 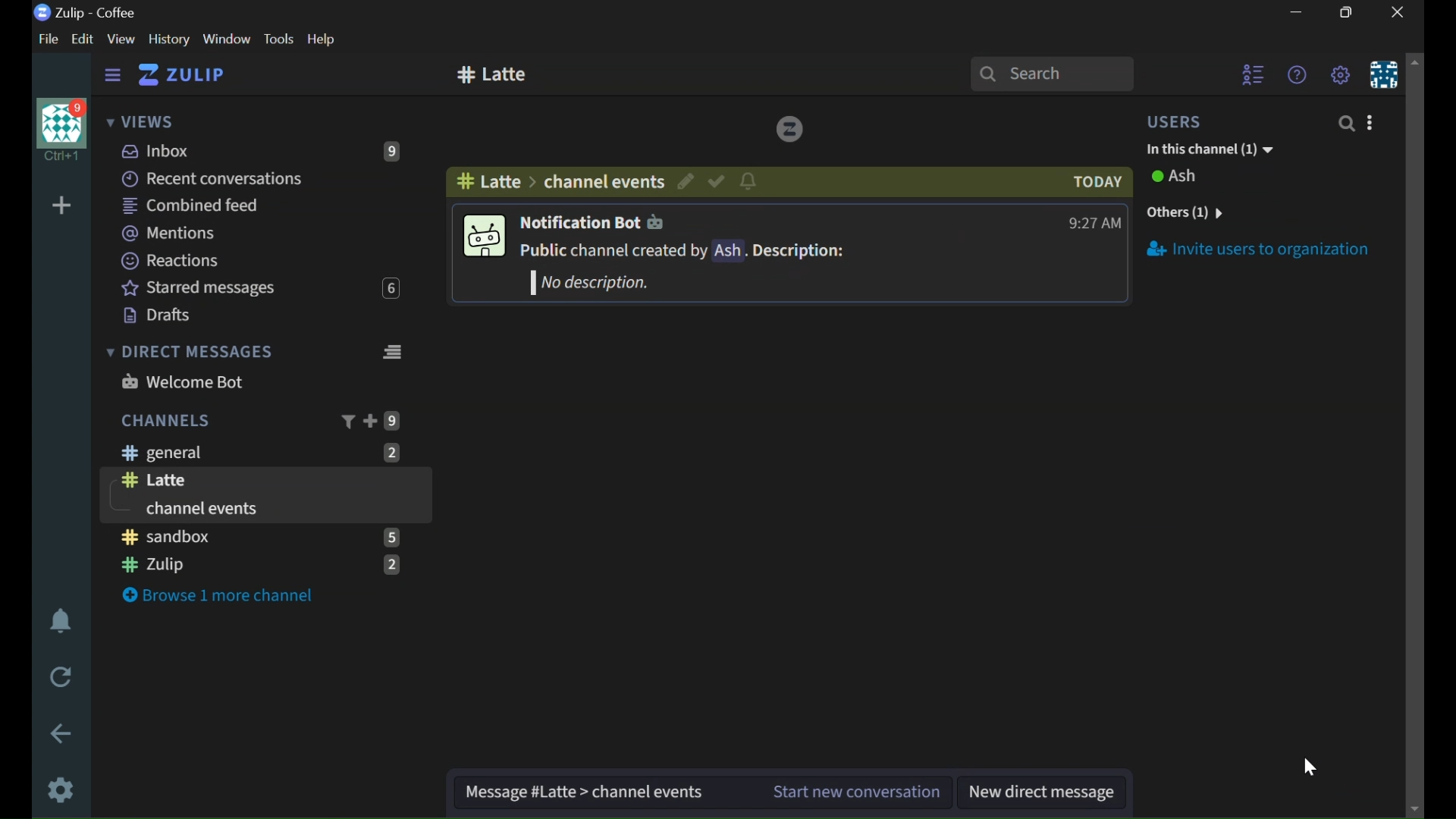 I want to click on Message #Latte, so click(x=522, y=790).